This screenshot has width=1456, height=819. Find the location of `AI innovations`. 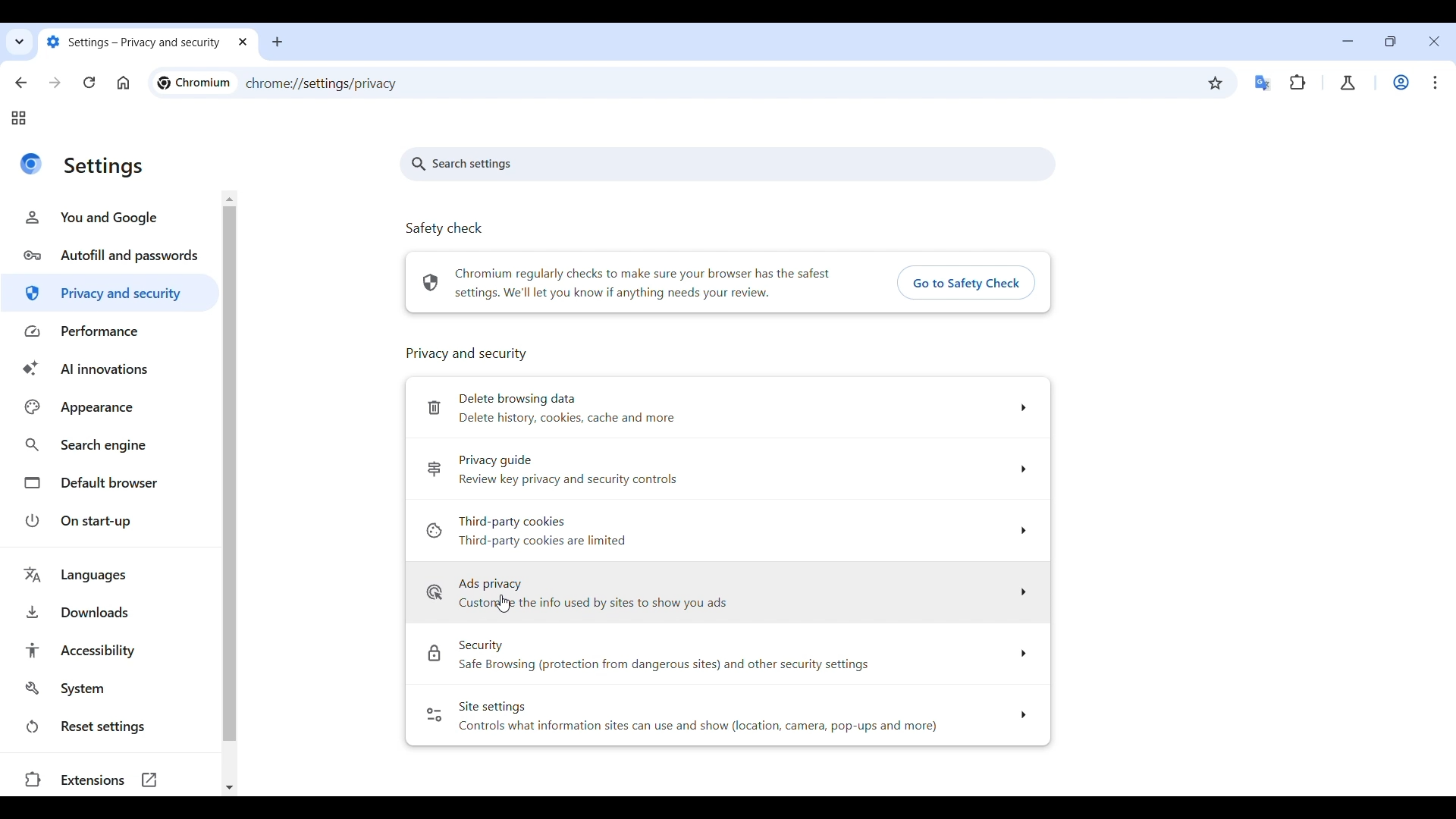

AI innovations is located at coordinates (109, 369).